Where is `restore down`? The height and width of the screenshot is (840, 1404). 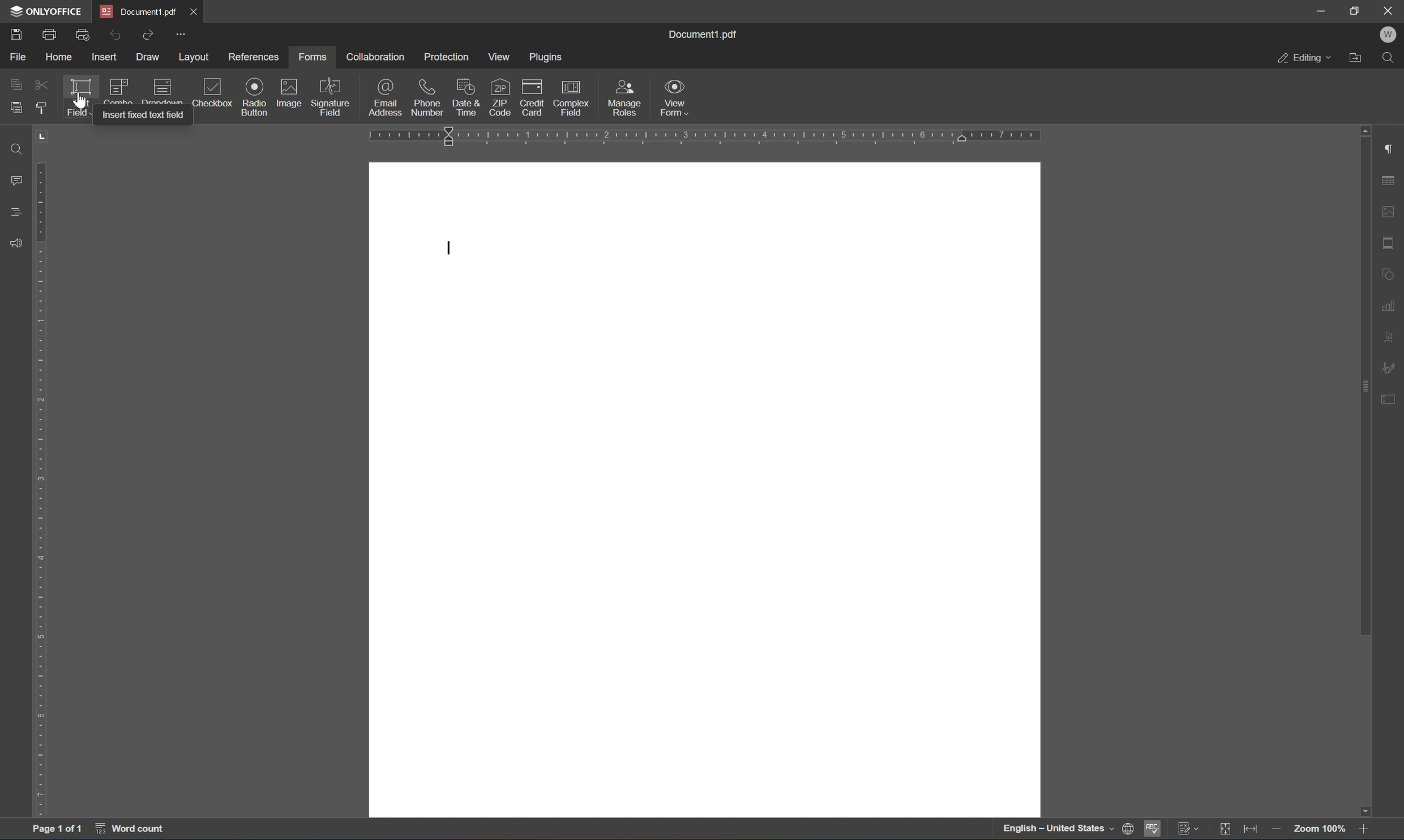
restore down is located at coordinates (1354, 10).